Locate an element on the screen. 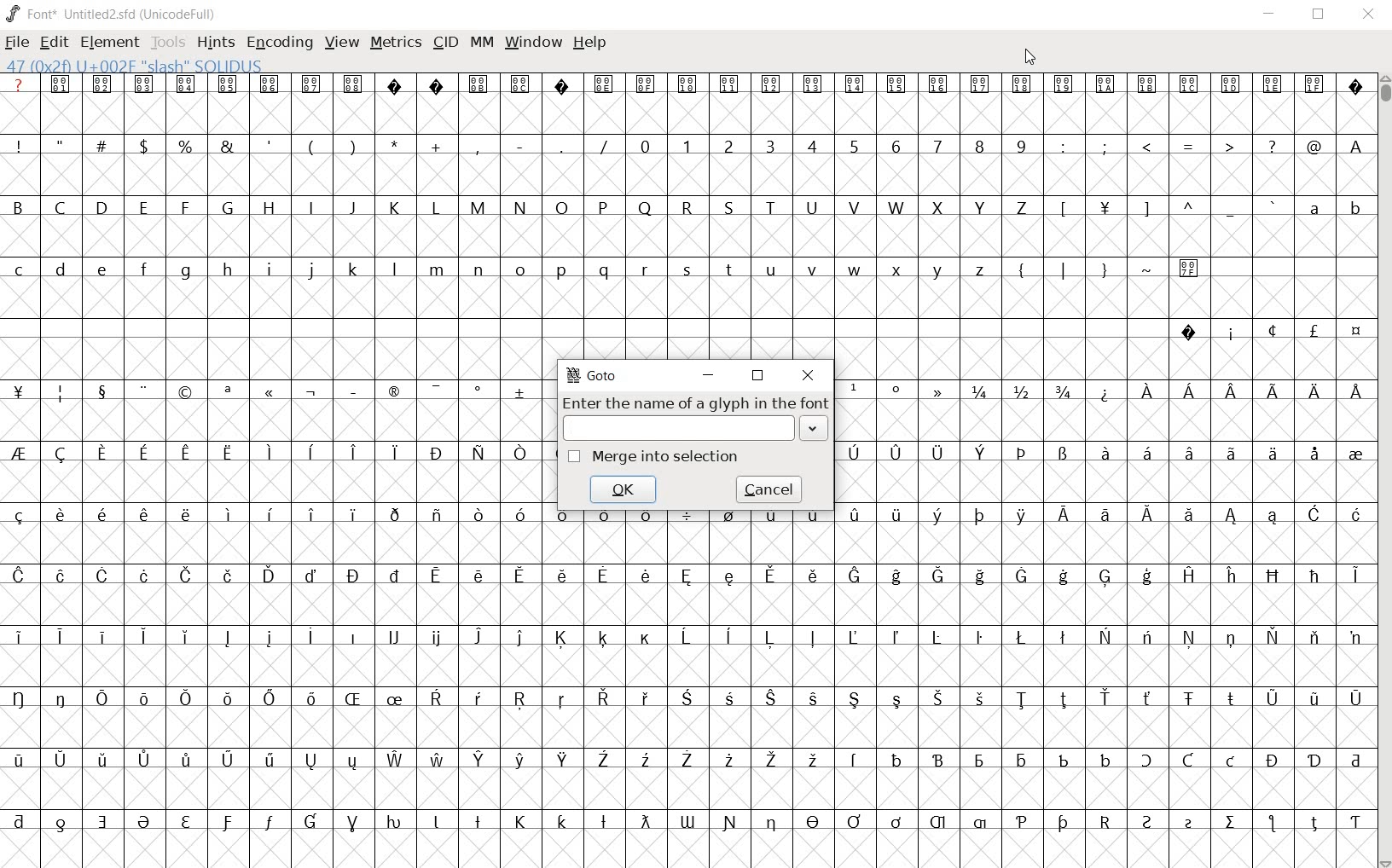 This screenshot has height=868, width=1392. empty cells is located at coordinates (287, 420).